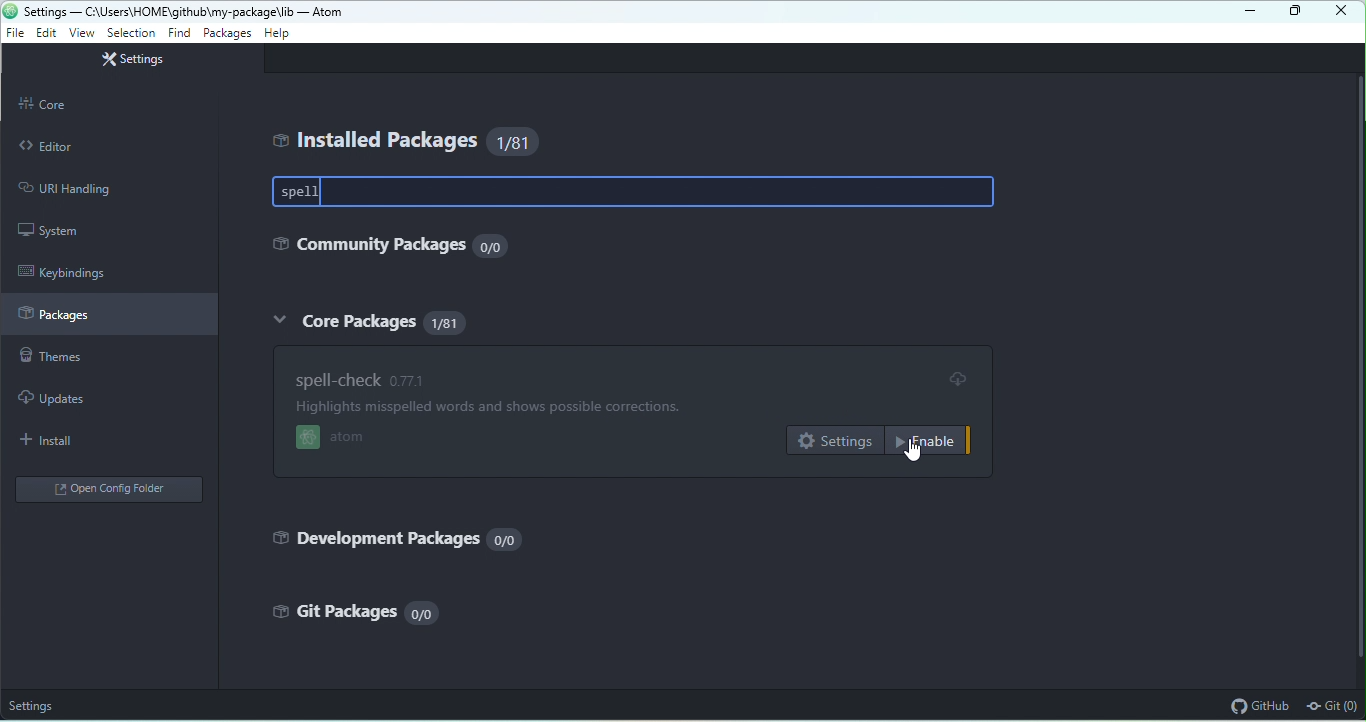 This screenshot has height=722, width=1366. Describe the element at coordinates (959, 378) in the screenshot. I see `update` at that location.